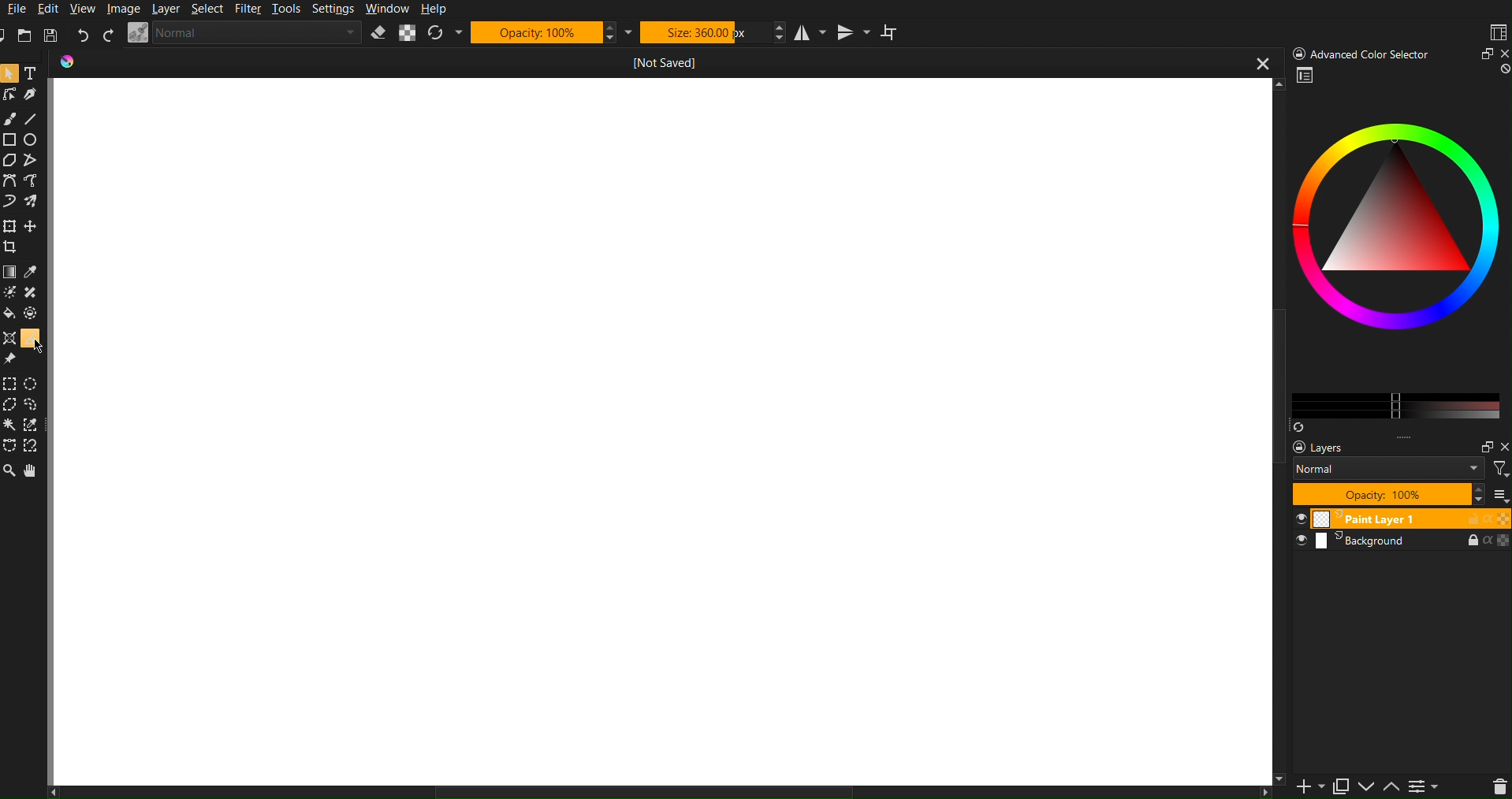 The width and height of the screenshot is (1512, 799). Describe the element at coordinates (892, 32) in the screenshot. I see `Wrap Around` at that location.